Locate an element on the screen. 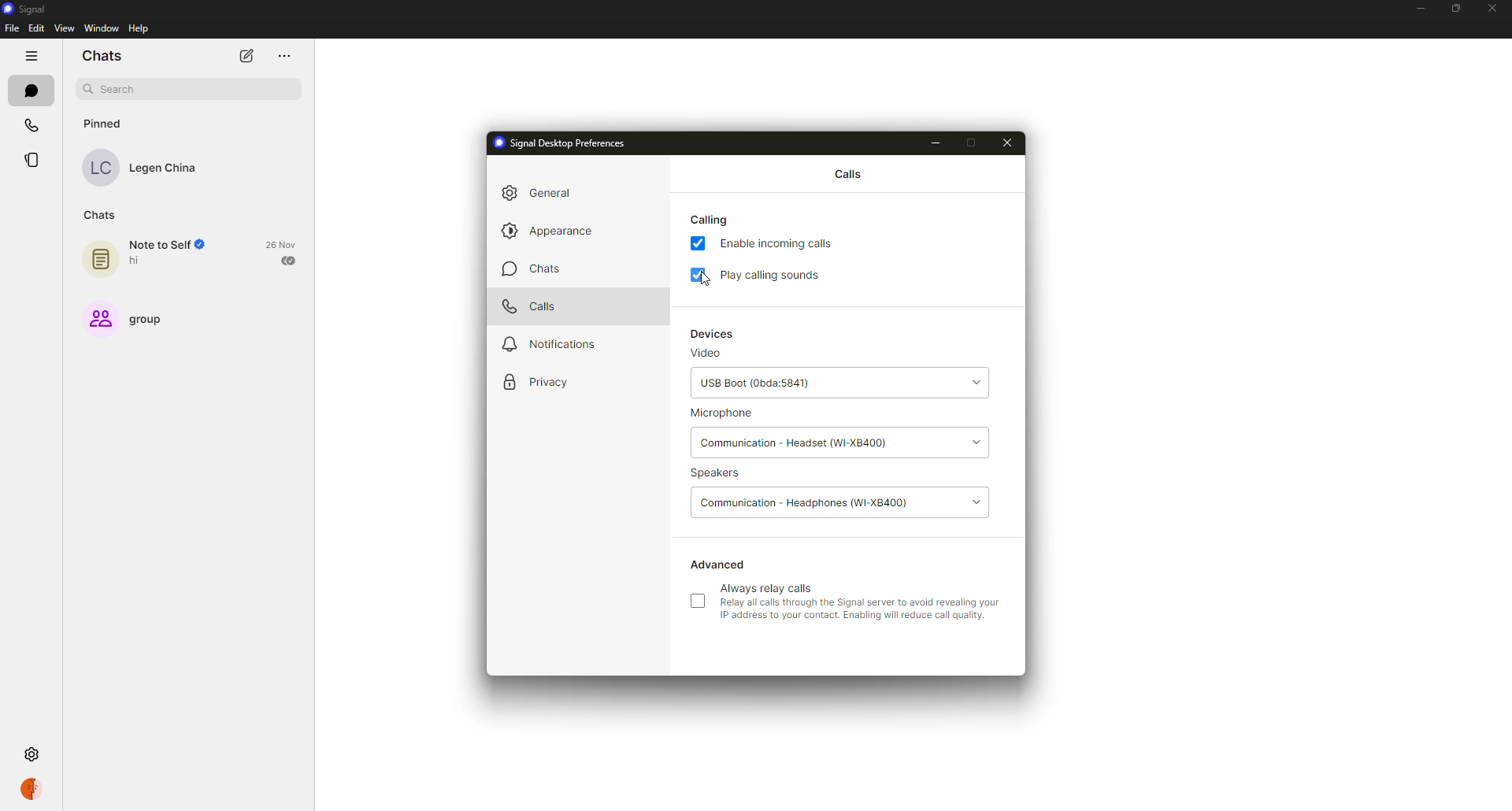 This screenshot has width=1512, height=811. close is located at coordinates (1010, 143).